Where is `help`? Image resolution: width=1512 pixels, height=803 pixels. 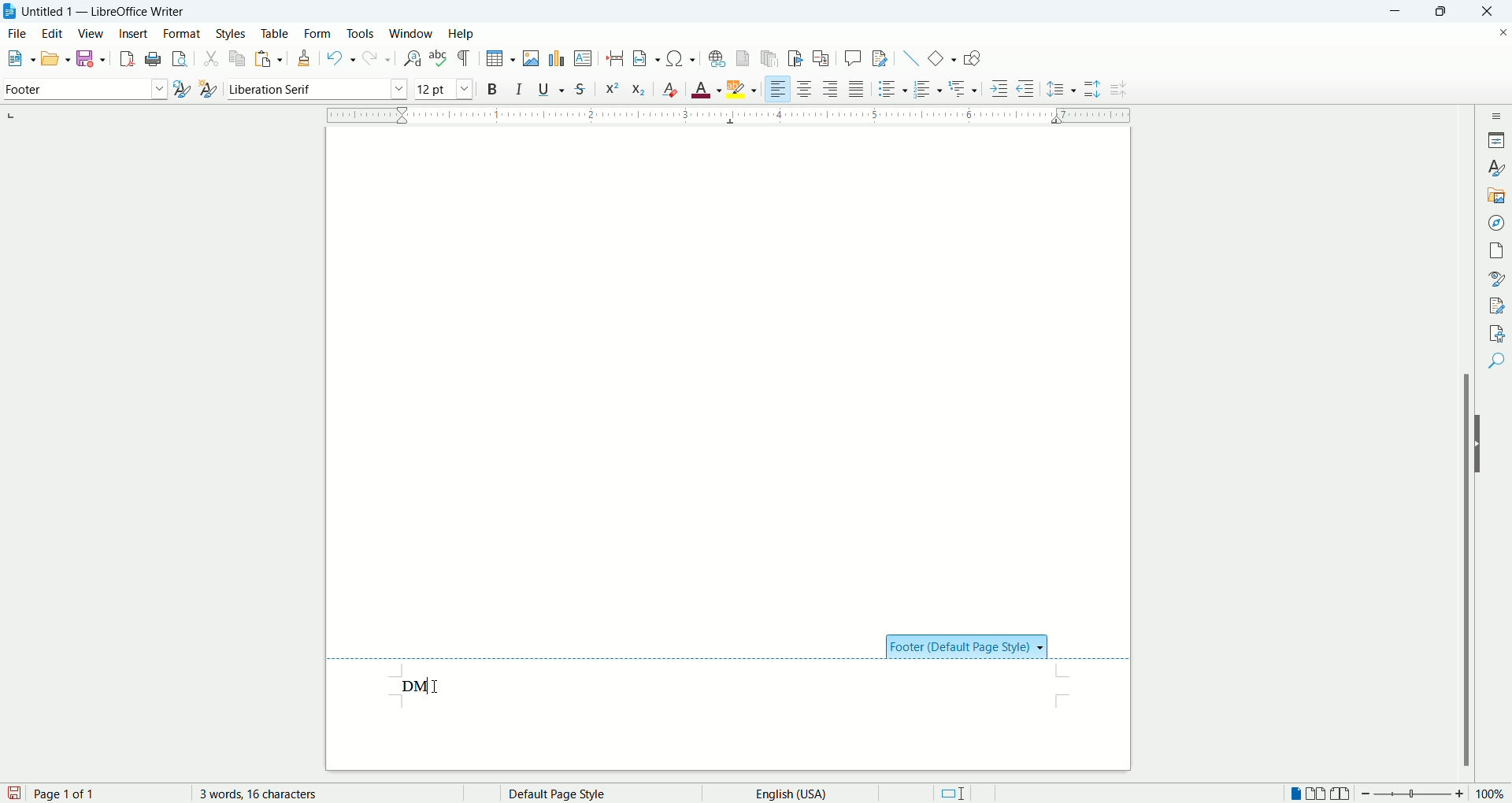 help is located at coordinates (461, 34).